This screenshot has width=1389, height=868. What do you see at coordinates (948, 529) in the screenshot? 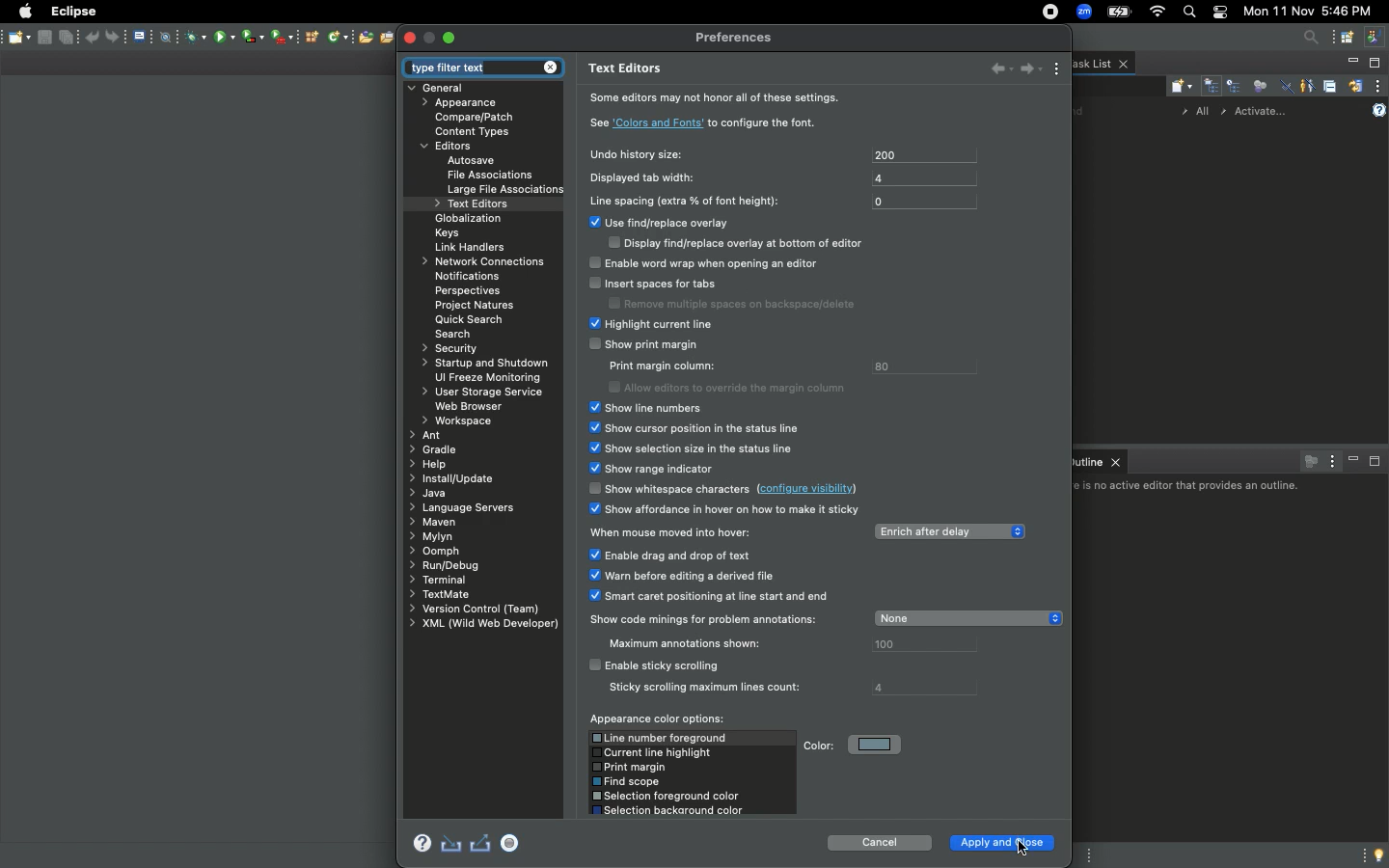
I see `Enrich after delay` at bounding box center [948, 529].